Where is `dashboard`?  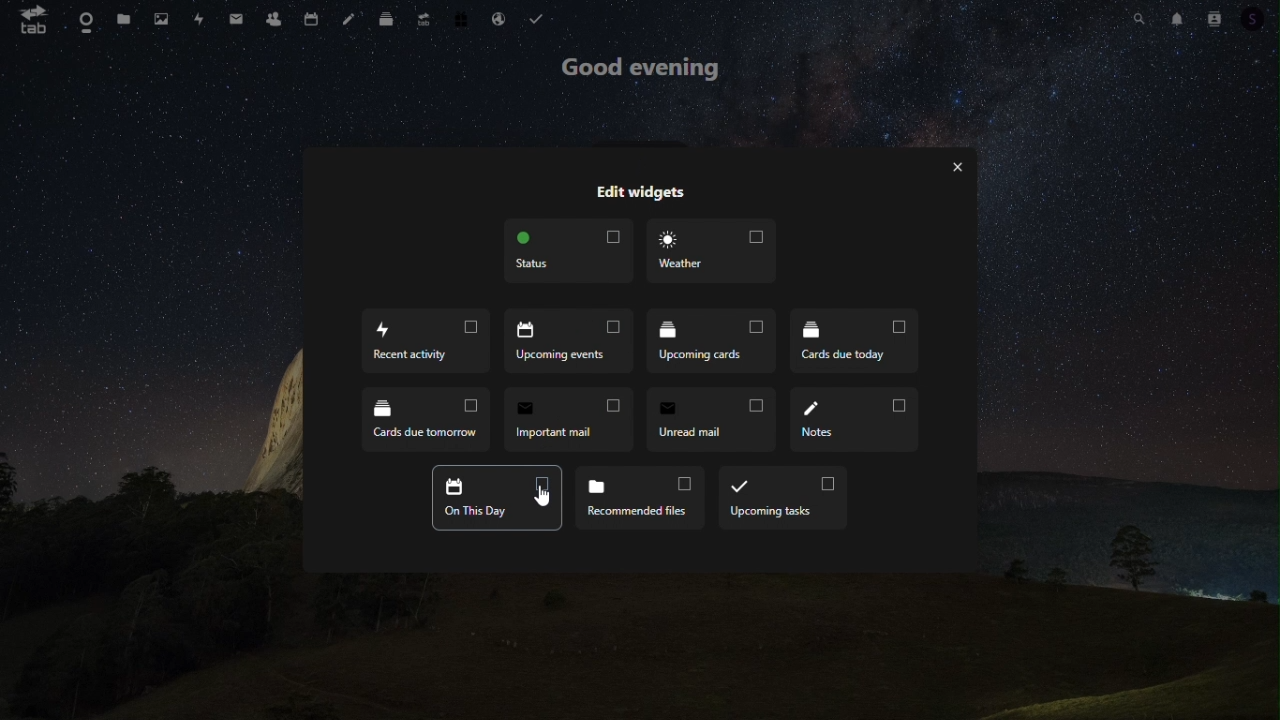 dashboard is located at coordinates (86, 18).